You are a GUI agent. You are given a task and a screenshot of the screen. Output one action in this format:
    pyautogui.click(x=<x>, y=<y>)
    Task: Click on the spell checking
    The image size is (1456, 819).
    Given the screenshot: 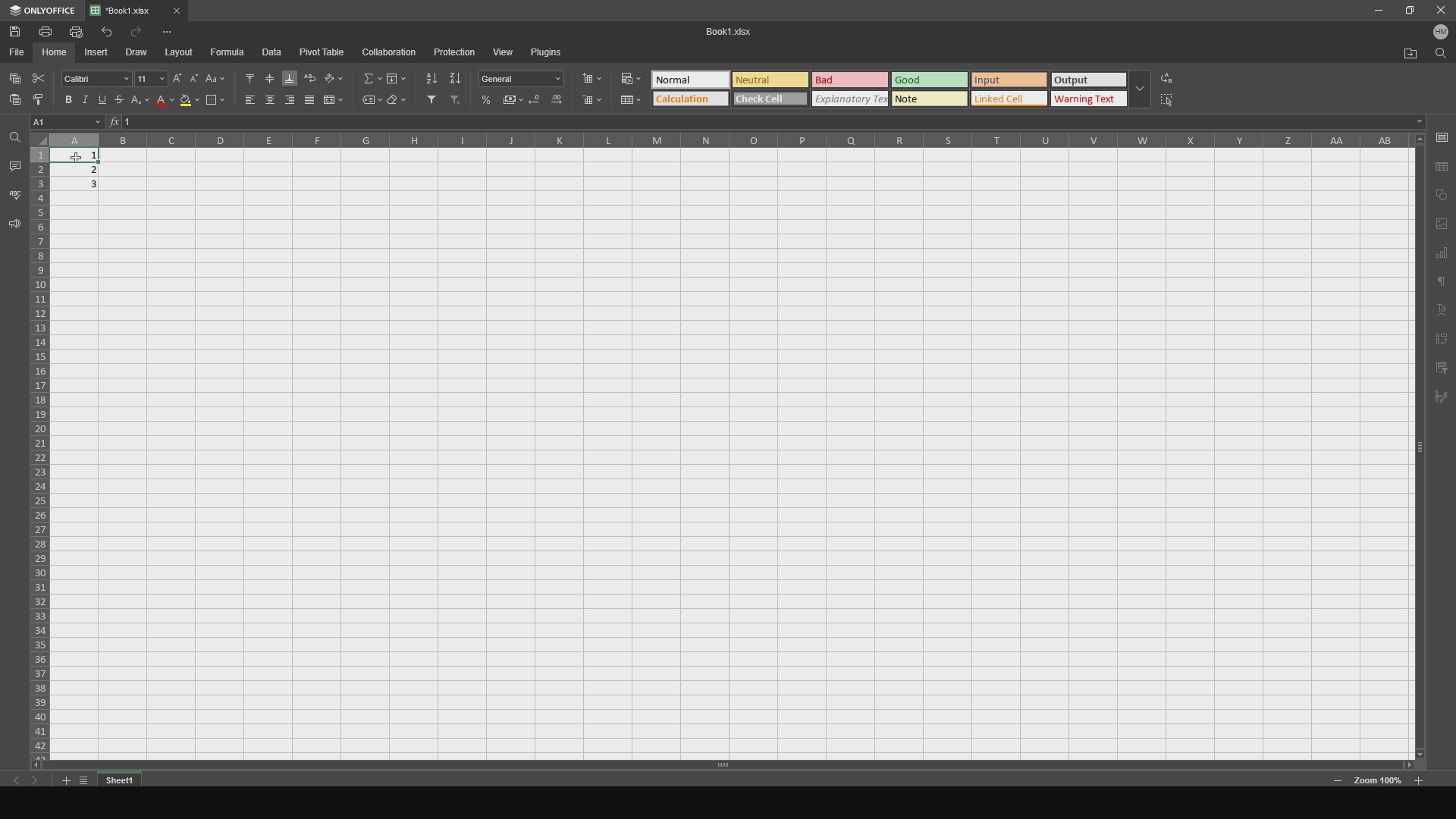 What is the action you would take?
    pyautogui.click(x=14, y=194)
    